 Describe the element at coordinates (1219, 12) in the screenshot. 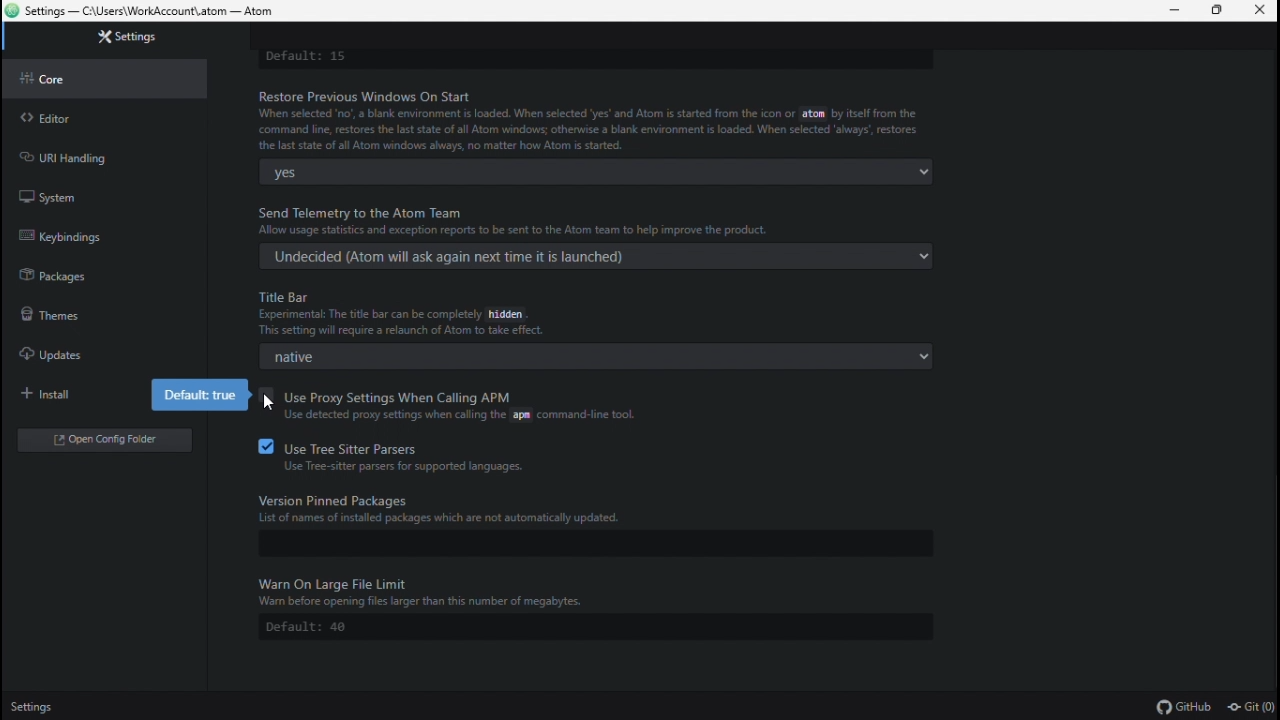

I see `Restore` at that location.